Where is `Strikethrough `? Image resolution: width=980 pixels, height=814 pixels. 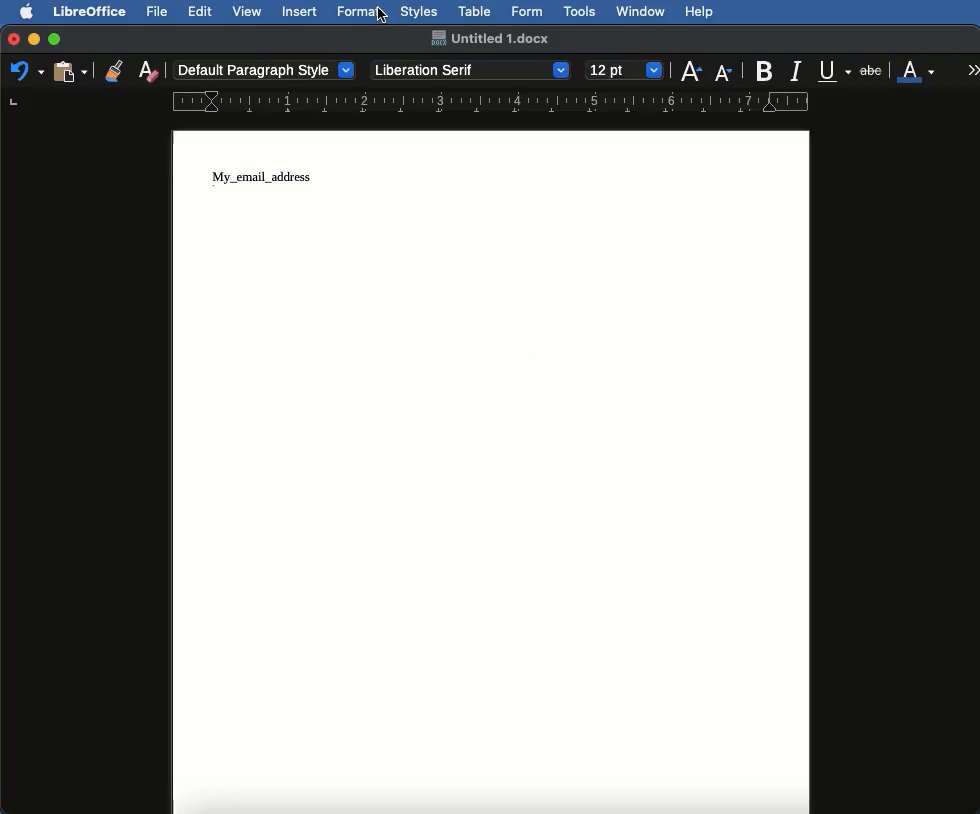 Strikethrough  is located at coordinates (873, 69).